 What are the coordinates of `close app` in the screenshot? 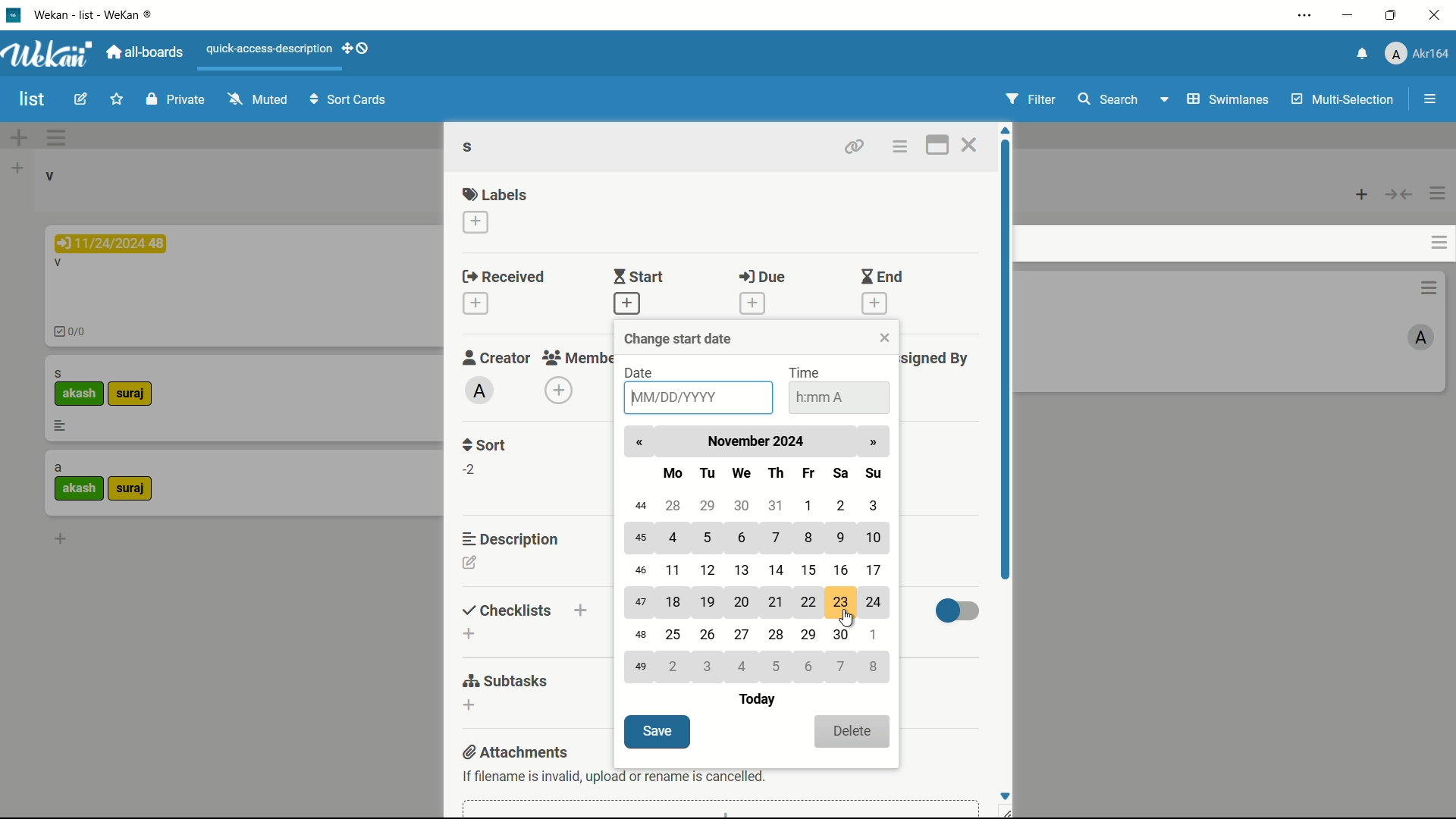 It's located at (1435, 17).